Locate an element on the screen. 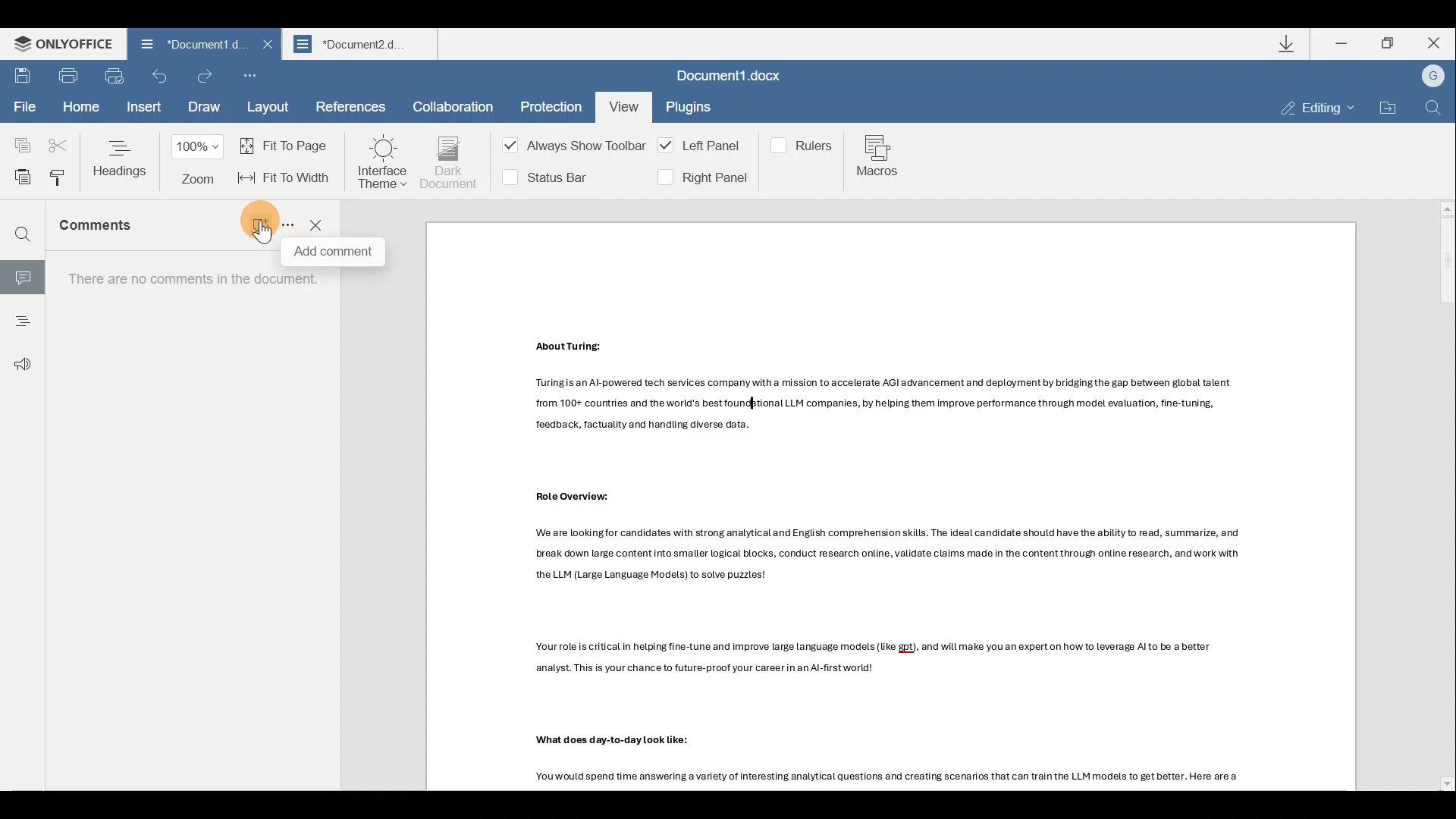 The image size is (1456, 819). Comments is located at coordinates (115, 231).